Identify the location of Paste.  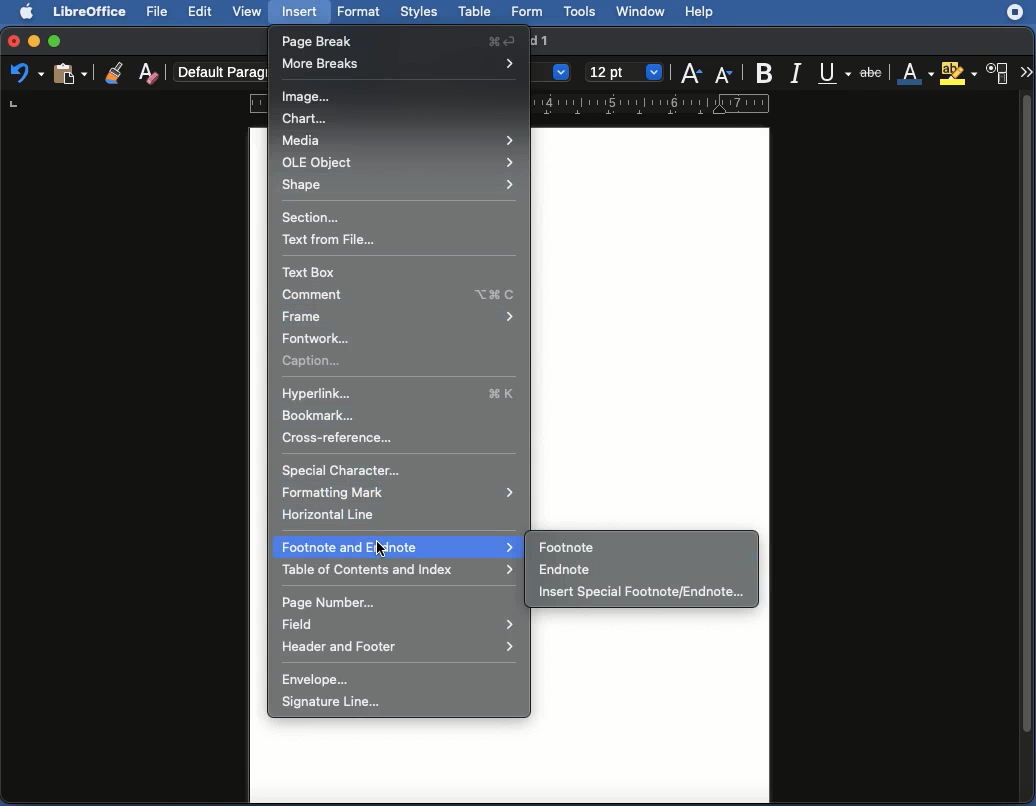
(69, 73).